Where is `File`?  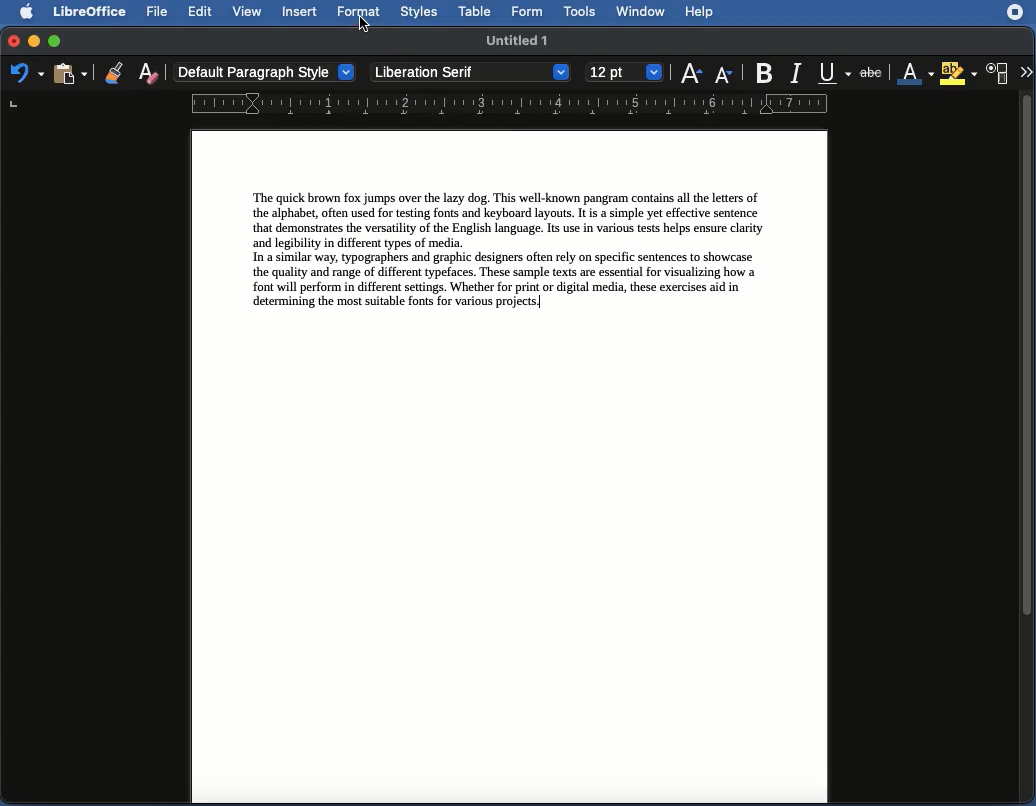
File is located at coordinates (155, 12).